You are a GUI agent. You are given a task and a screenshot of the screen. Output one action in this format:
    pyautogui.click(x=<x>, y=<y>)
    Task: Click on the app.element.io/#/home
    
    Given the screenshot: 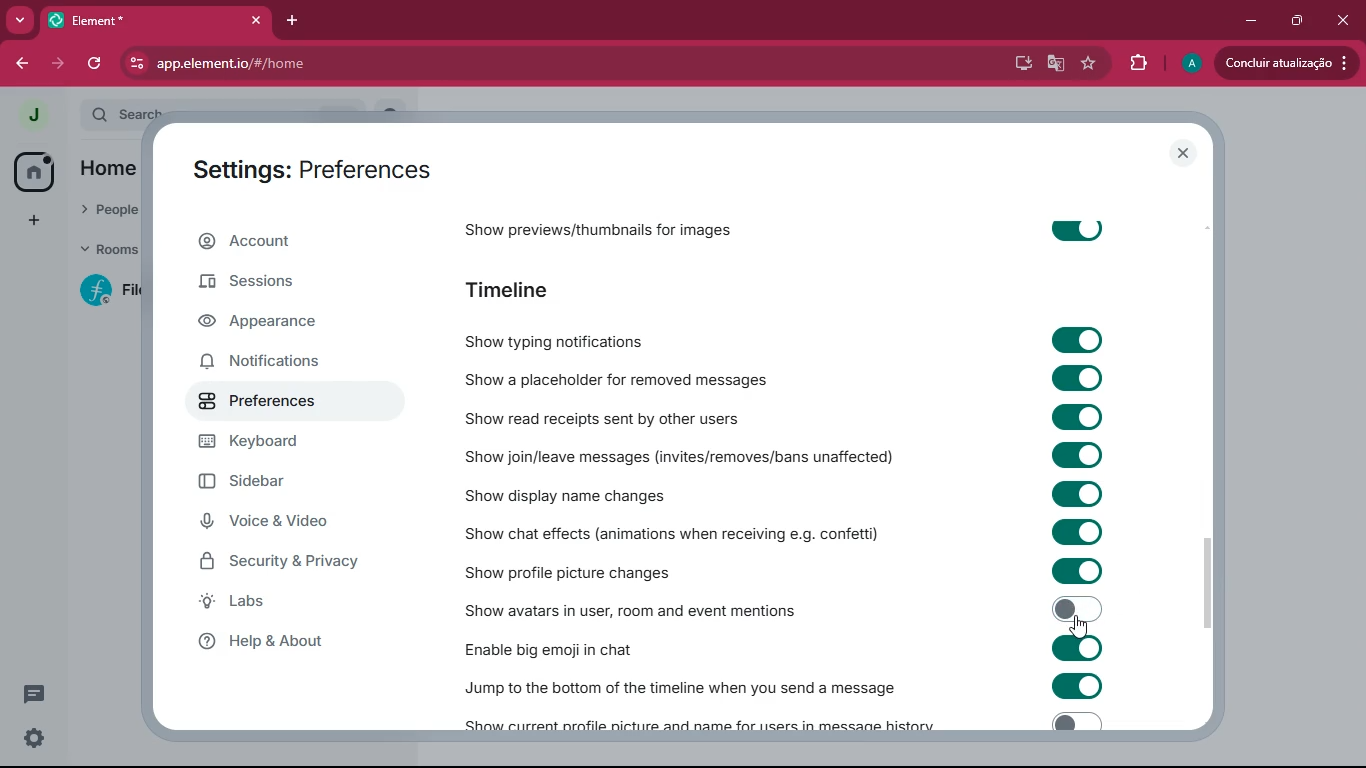 What is the action you would take?
    pyautogui.click(x=324, y=63)
    